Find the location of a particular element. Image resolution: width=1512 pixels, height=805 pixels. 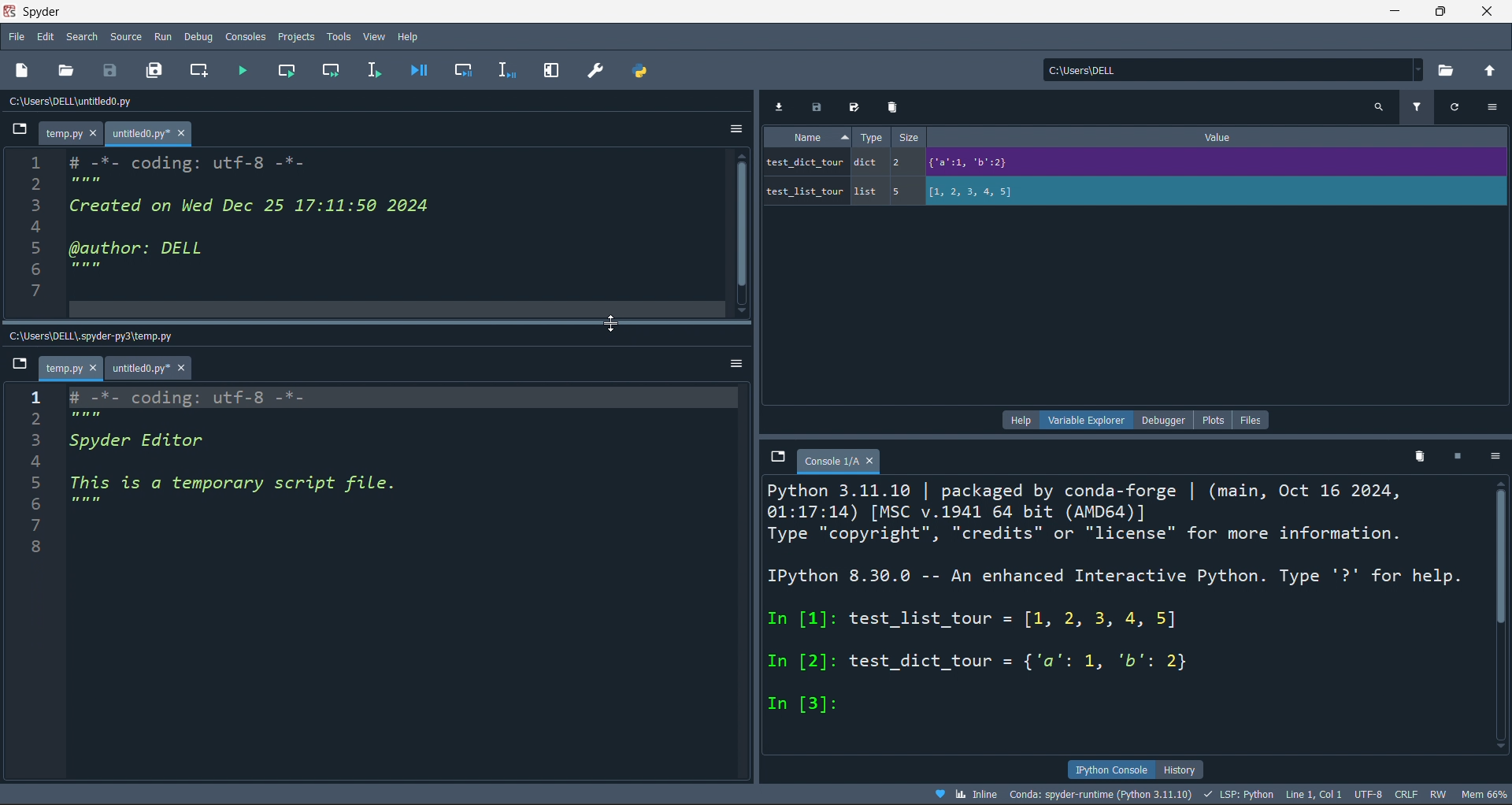

debug file is located at coordinates (424, 71).